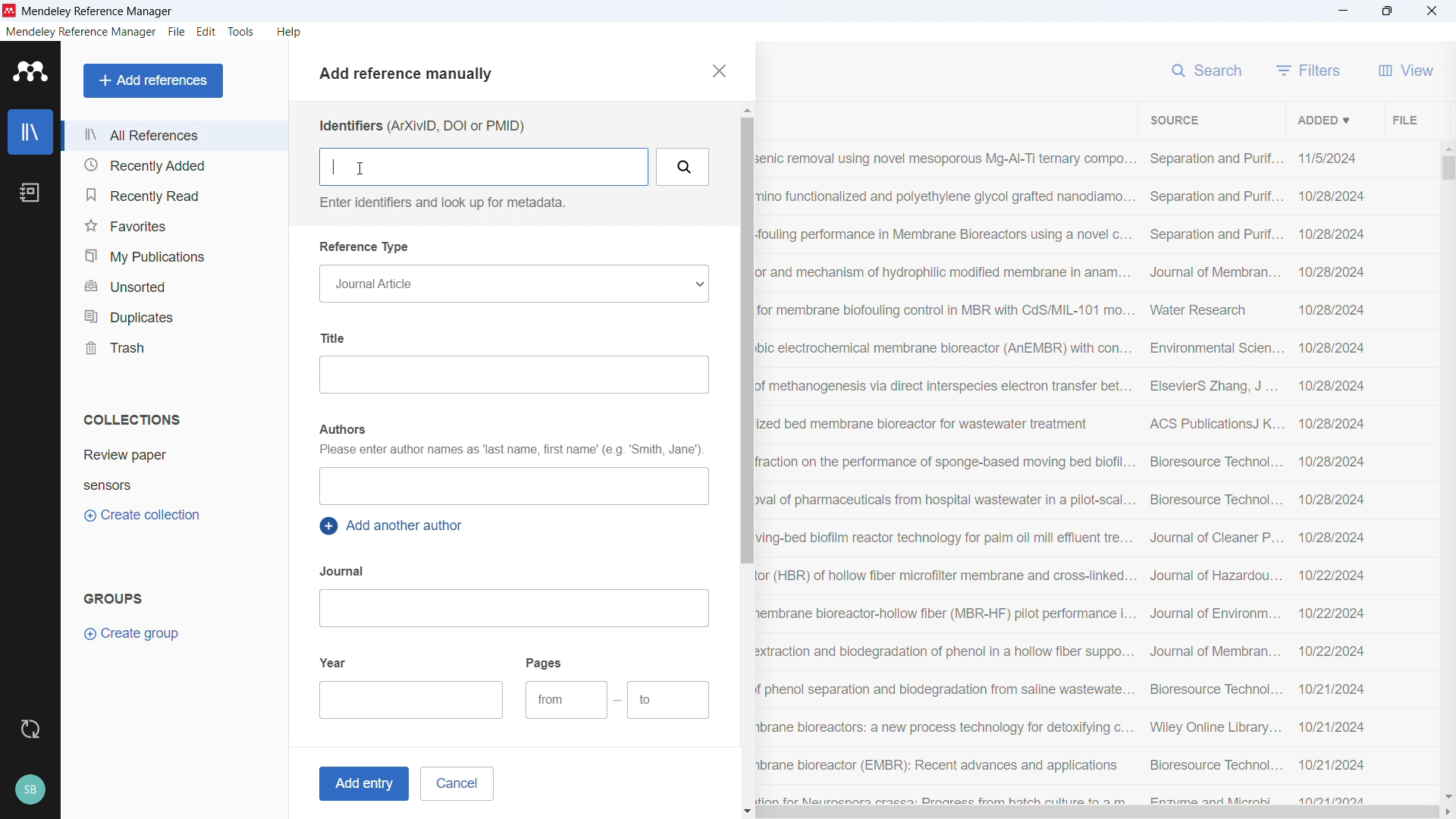  I want to click on Add entry , so click(361, 784).